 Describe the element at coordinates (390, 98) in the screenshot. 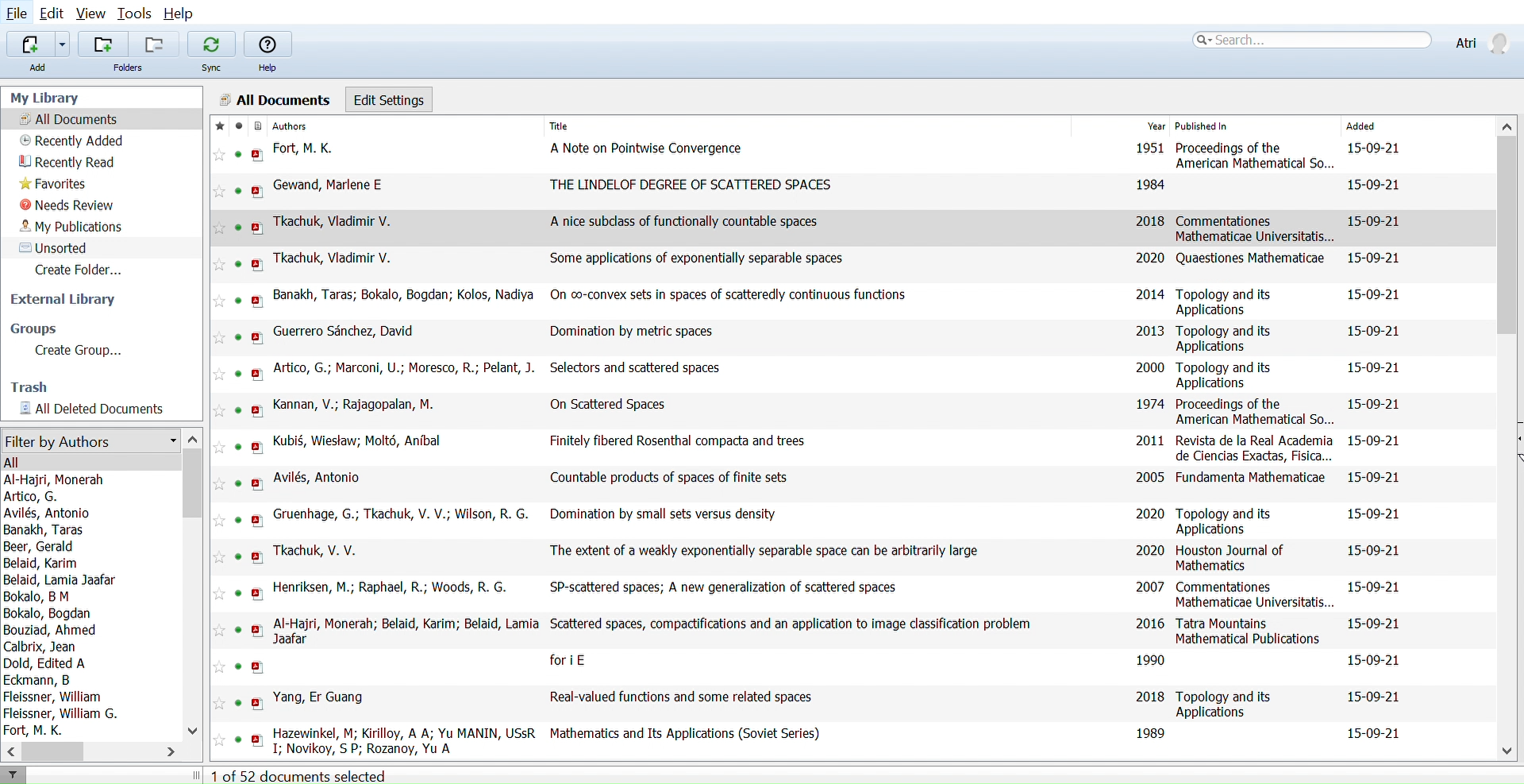

I see `Edit settings` at that location.